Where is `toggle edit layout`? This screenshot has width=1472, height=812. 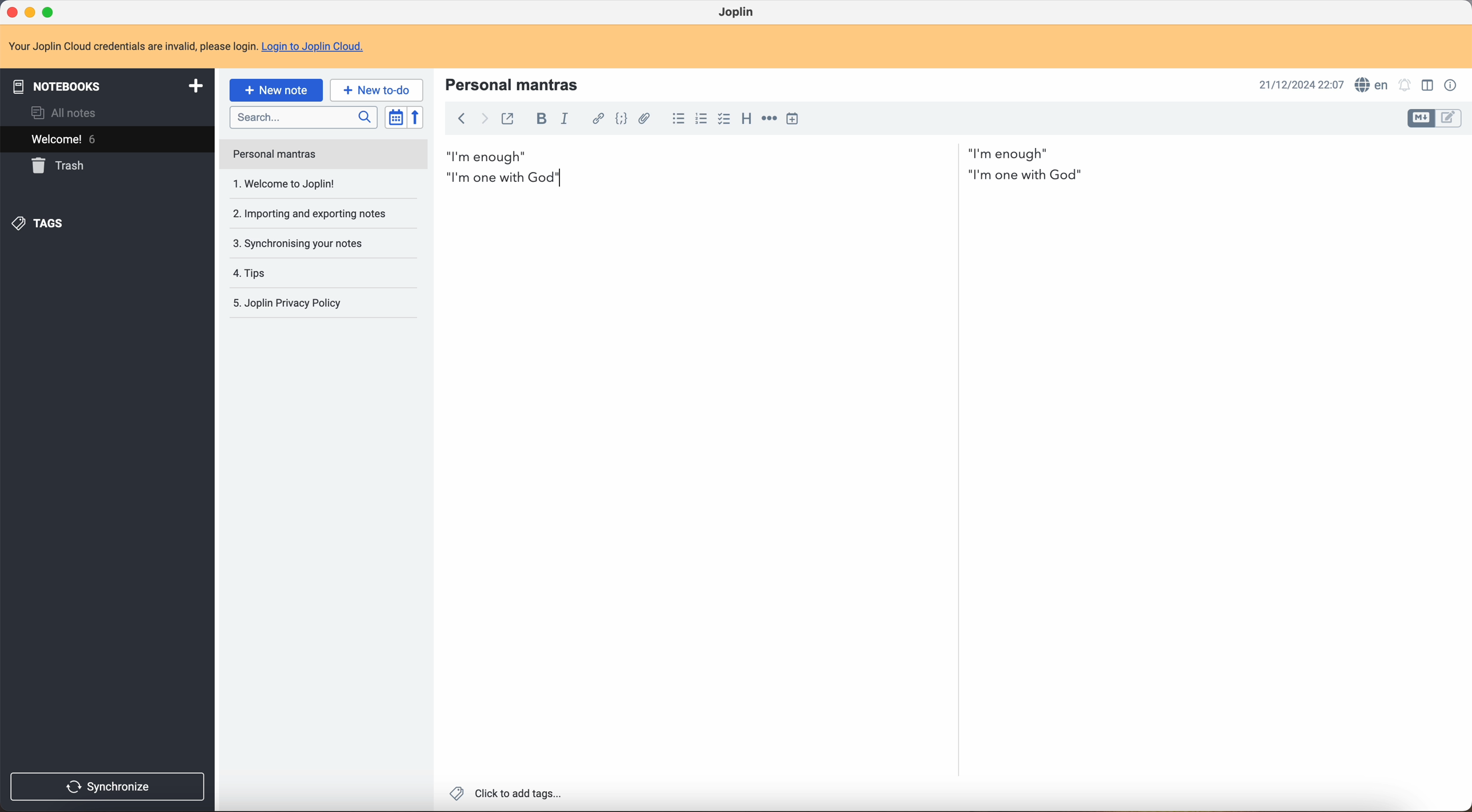
toggle edit layout is located at coordinates (1430, 85).